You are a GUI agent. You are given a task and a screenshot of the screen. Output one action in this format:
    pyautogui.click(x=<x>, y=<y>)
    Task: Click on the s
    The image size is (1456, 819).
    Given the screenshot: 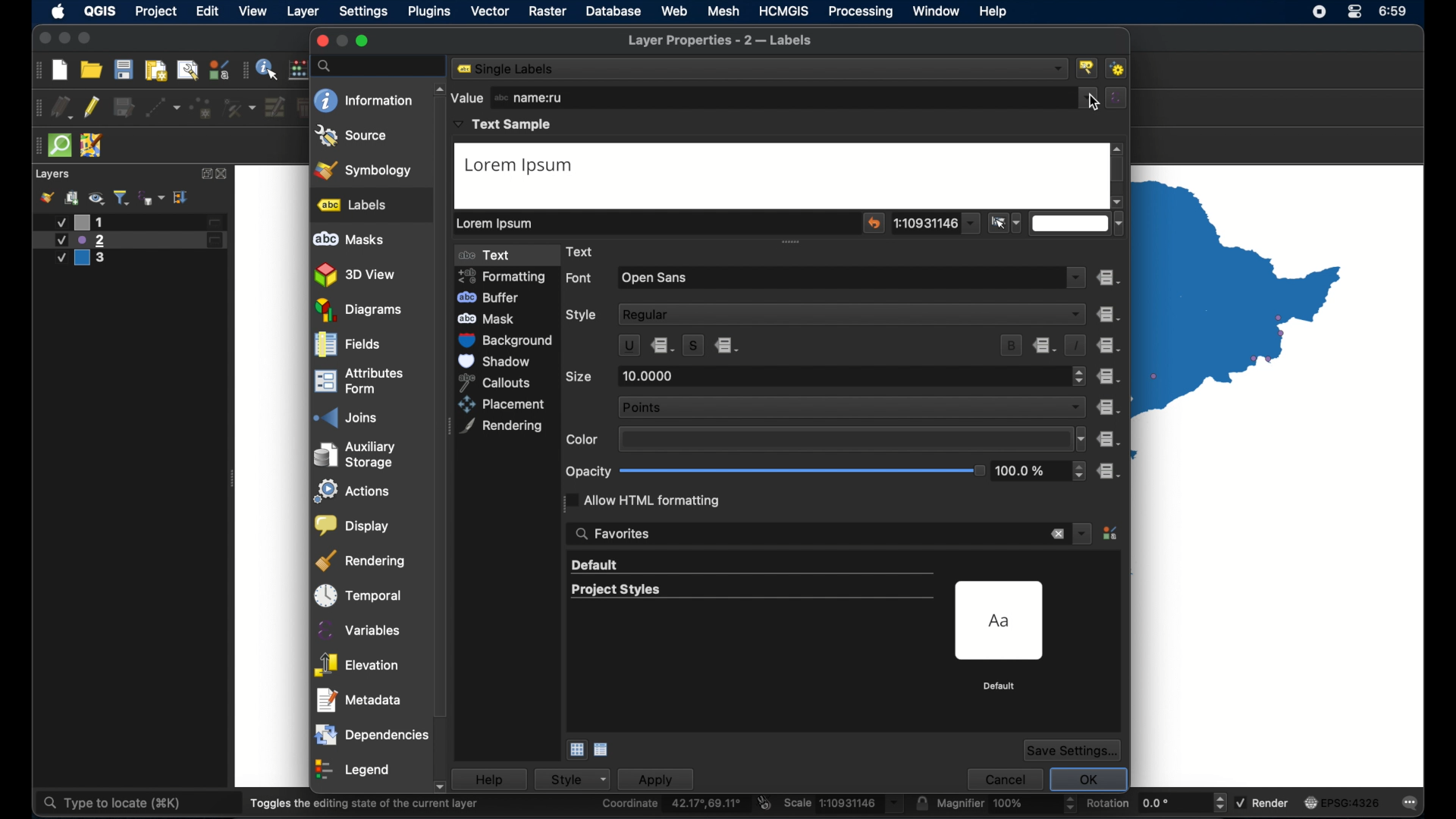 What is the action you would take?
    pyautogui.click(x=693, y=344)
    